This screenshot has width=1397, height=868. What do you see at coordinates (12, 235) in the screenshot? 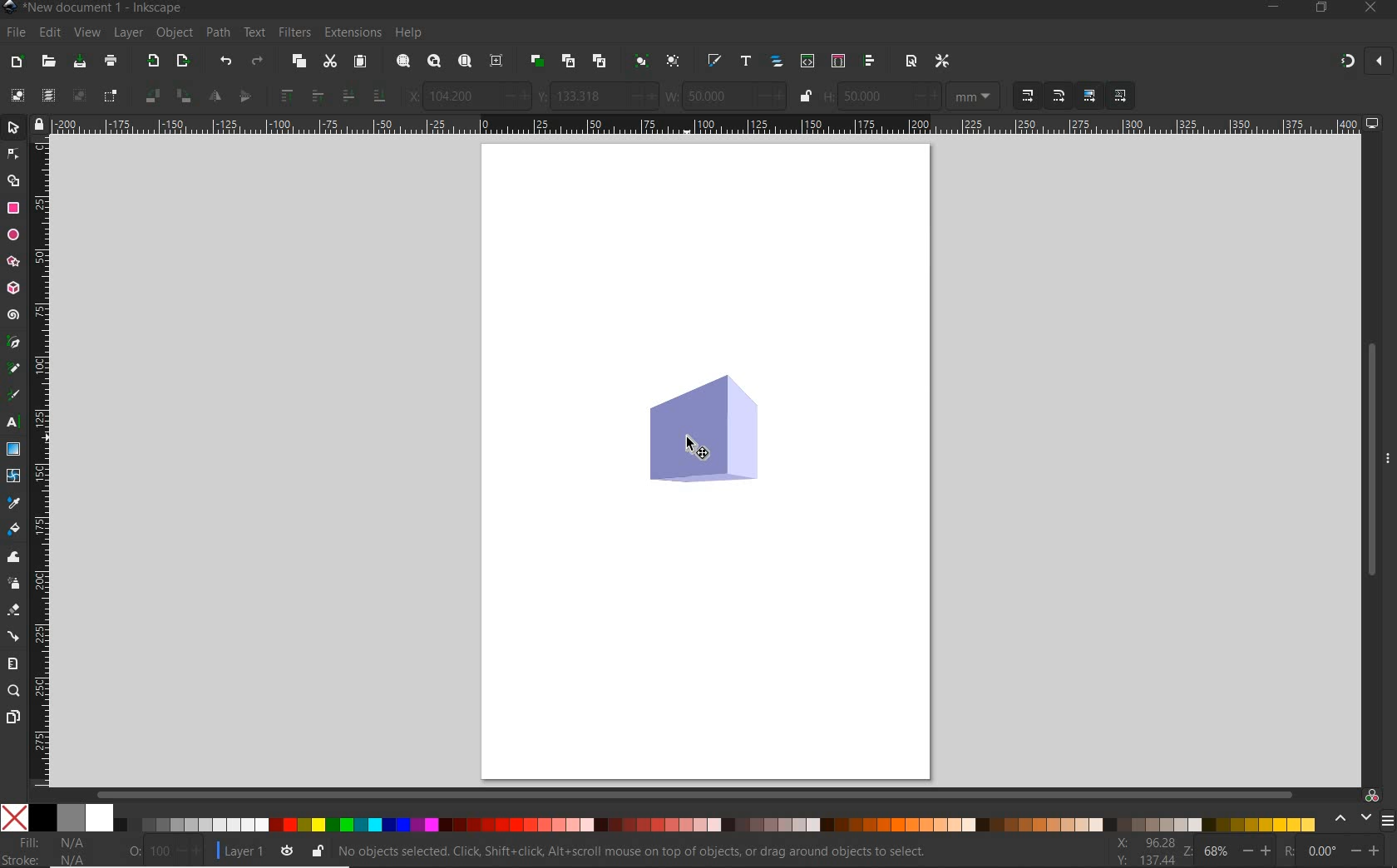
I see `ellipse tool` at bounding box center [12, 235].